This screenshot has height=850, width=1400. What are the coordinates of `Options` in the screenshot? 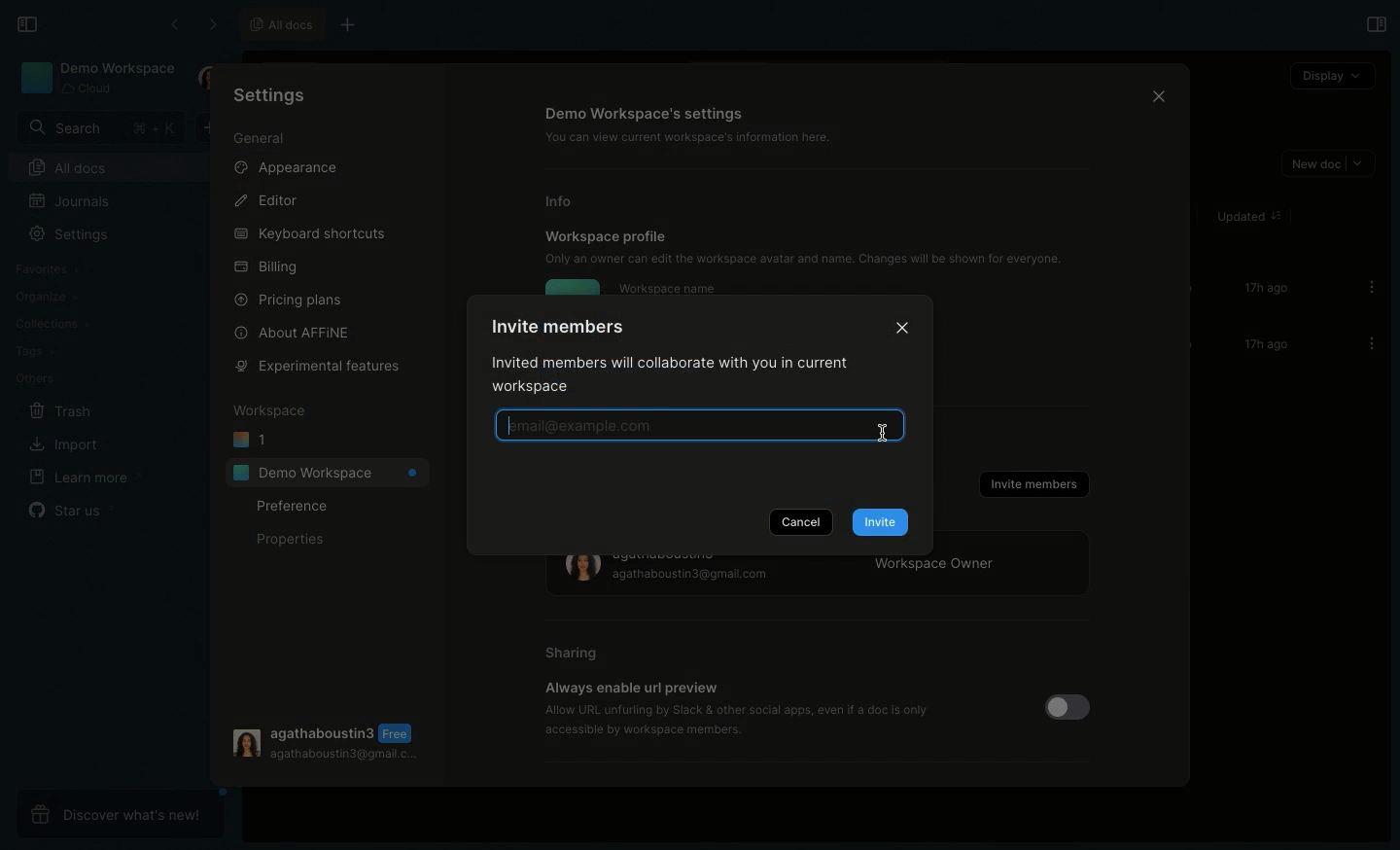 It's located at (1366, 287).